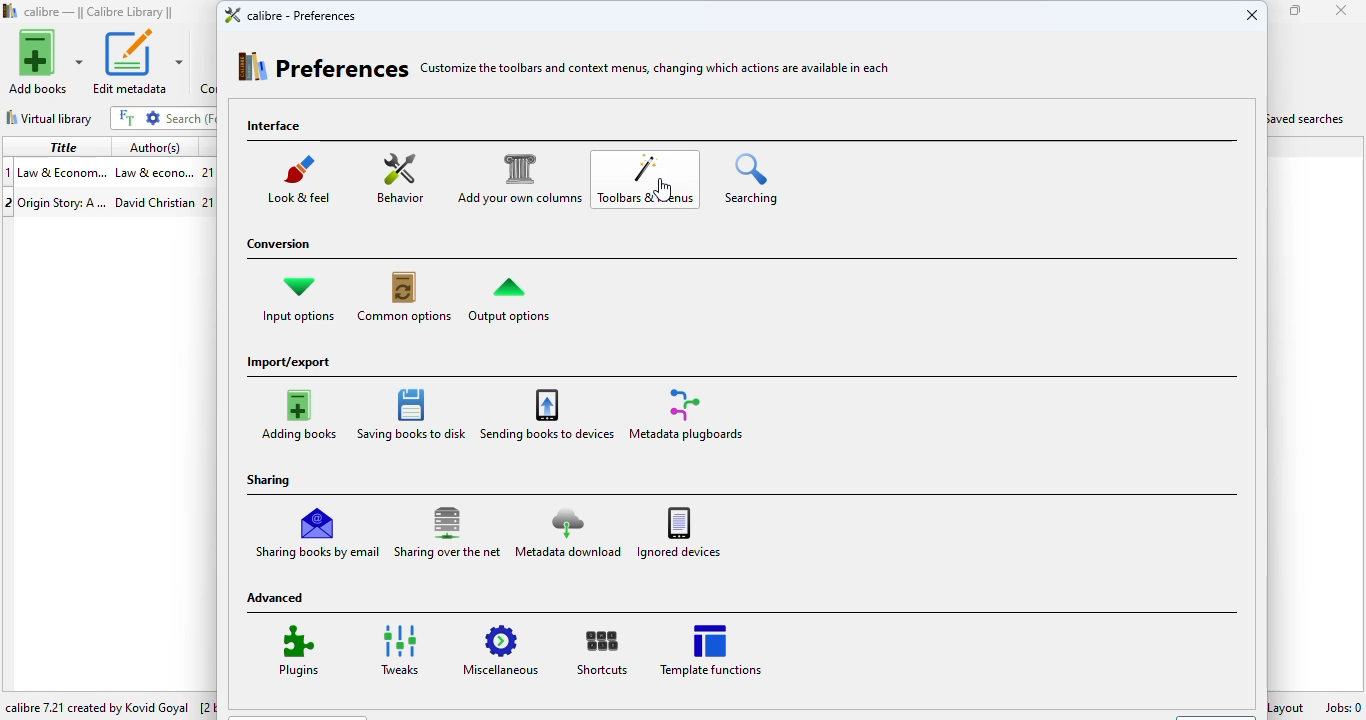 The width and height of the screenshot is (1366, 720). Describe the element at coordinates (49, 118) in the screenshot. I see `virtual library` at that location.